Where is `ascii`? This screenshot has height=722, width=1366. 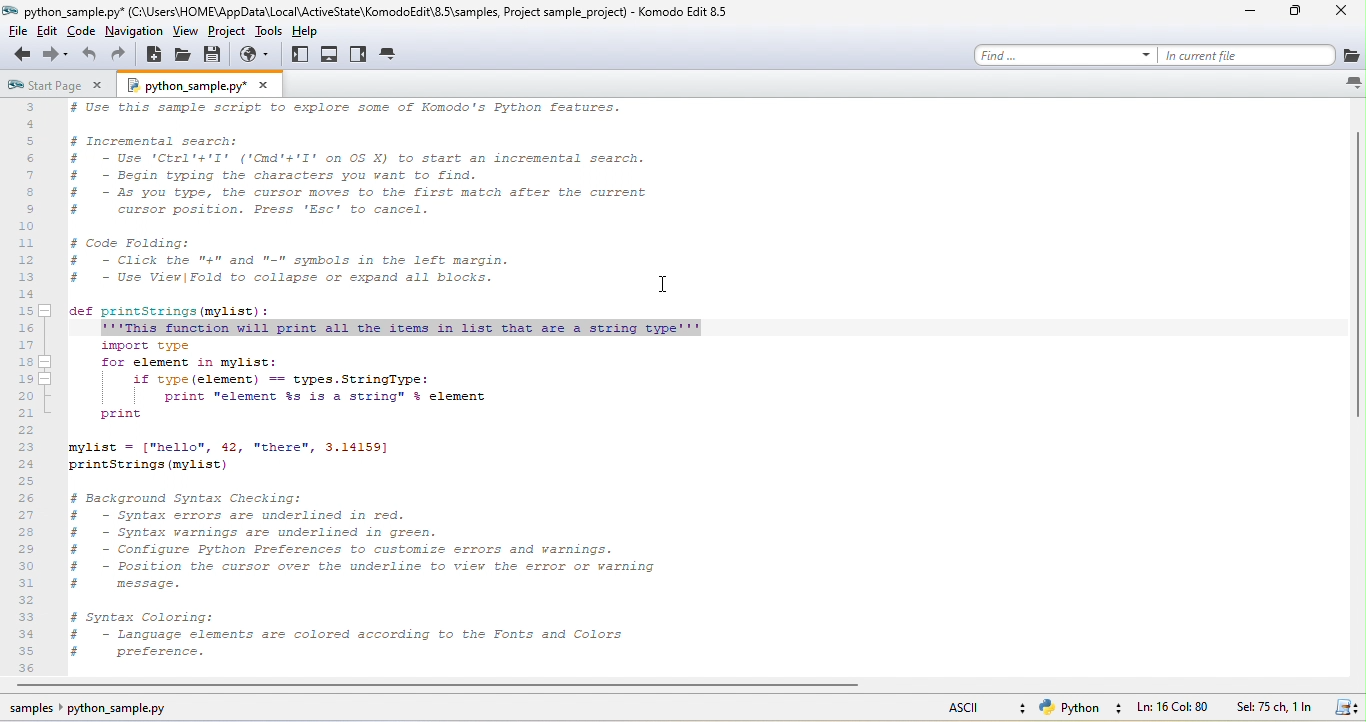
ascii is located at coordinates (974, 709).